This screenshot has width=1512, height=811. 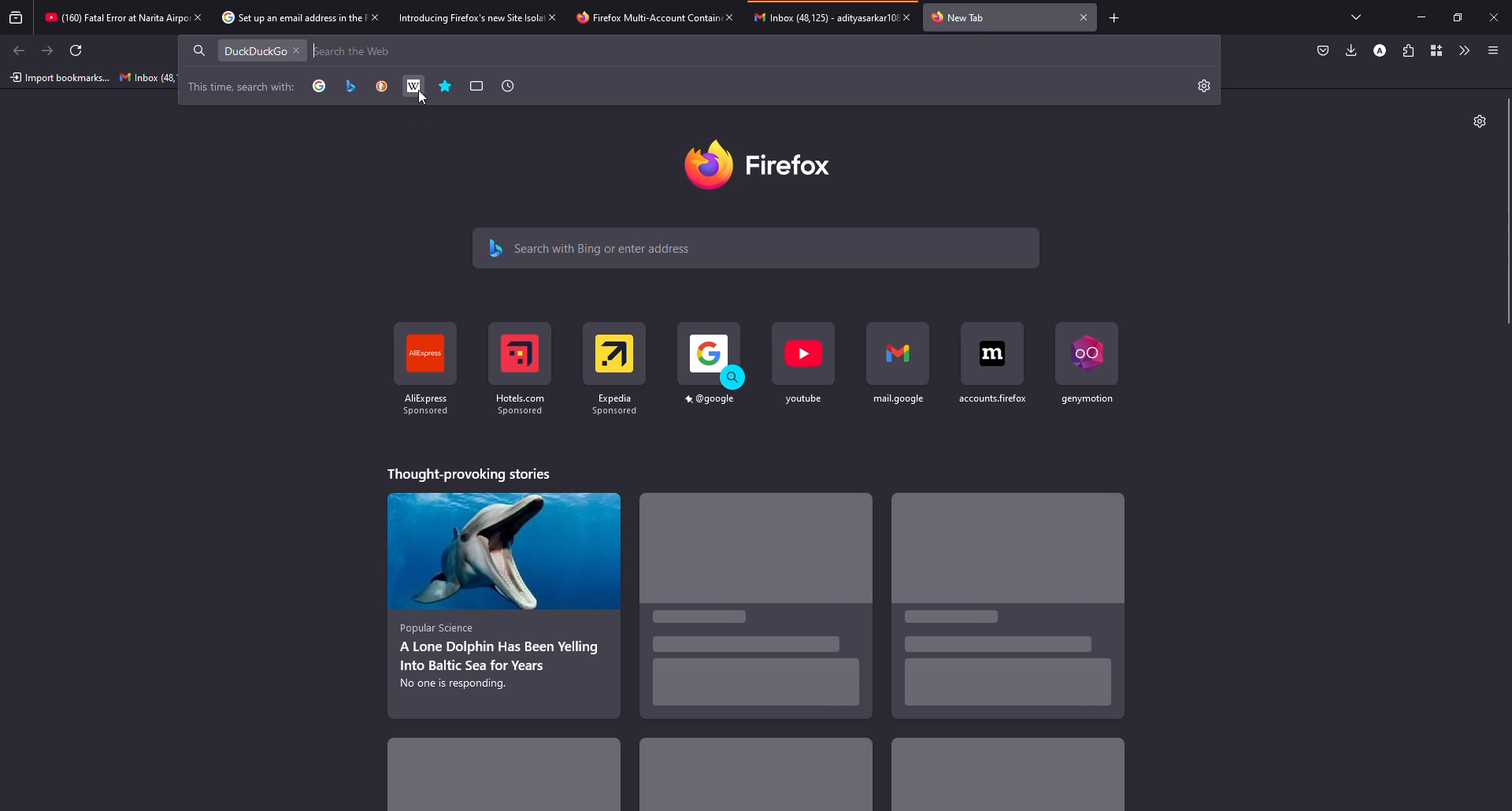 What do you see at coordinates (907, 17) in the screenshot?
I see `close` at bounding box center [907, 17].